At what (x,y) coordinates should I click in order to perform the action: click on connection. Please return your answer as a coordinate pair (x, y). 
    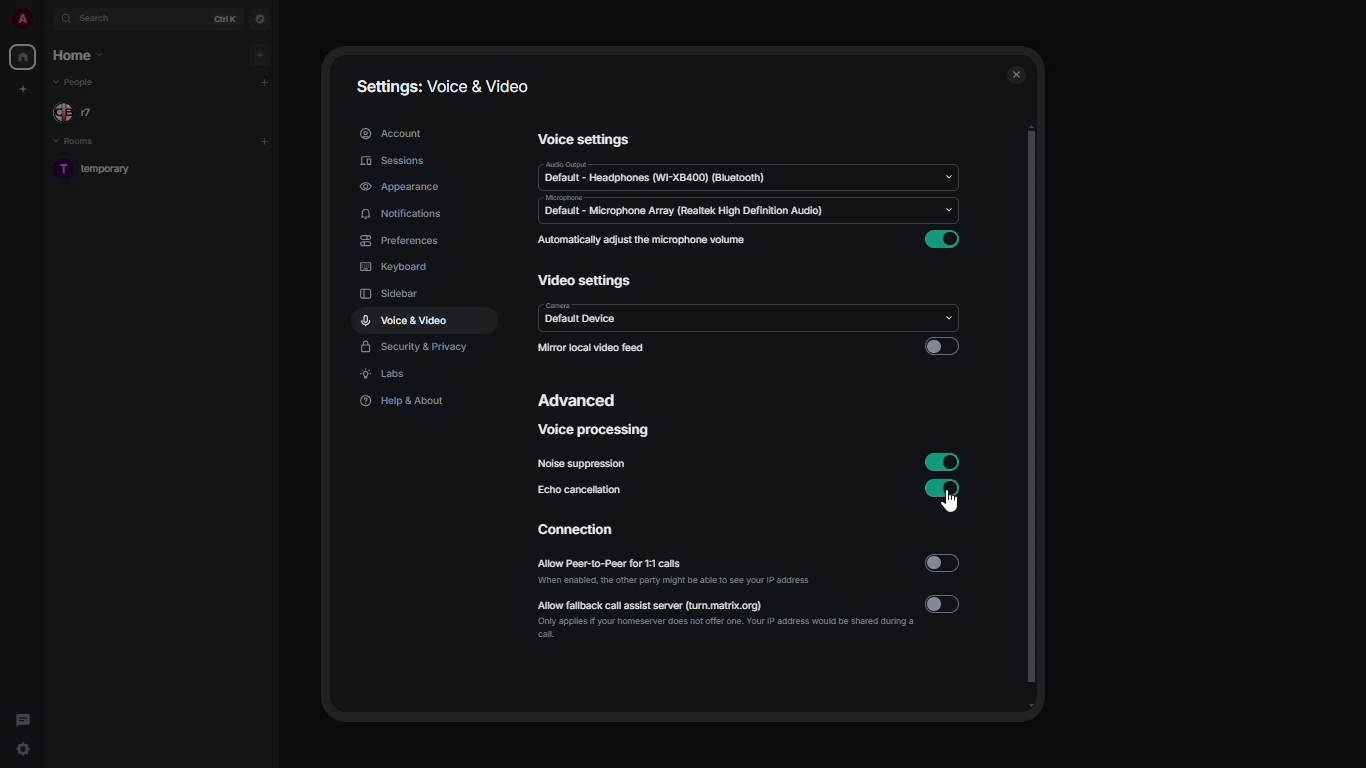
    Looking at the image, I should click on (579, 530).